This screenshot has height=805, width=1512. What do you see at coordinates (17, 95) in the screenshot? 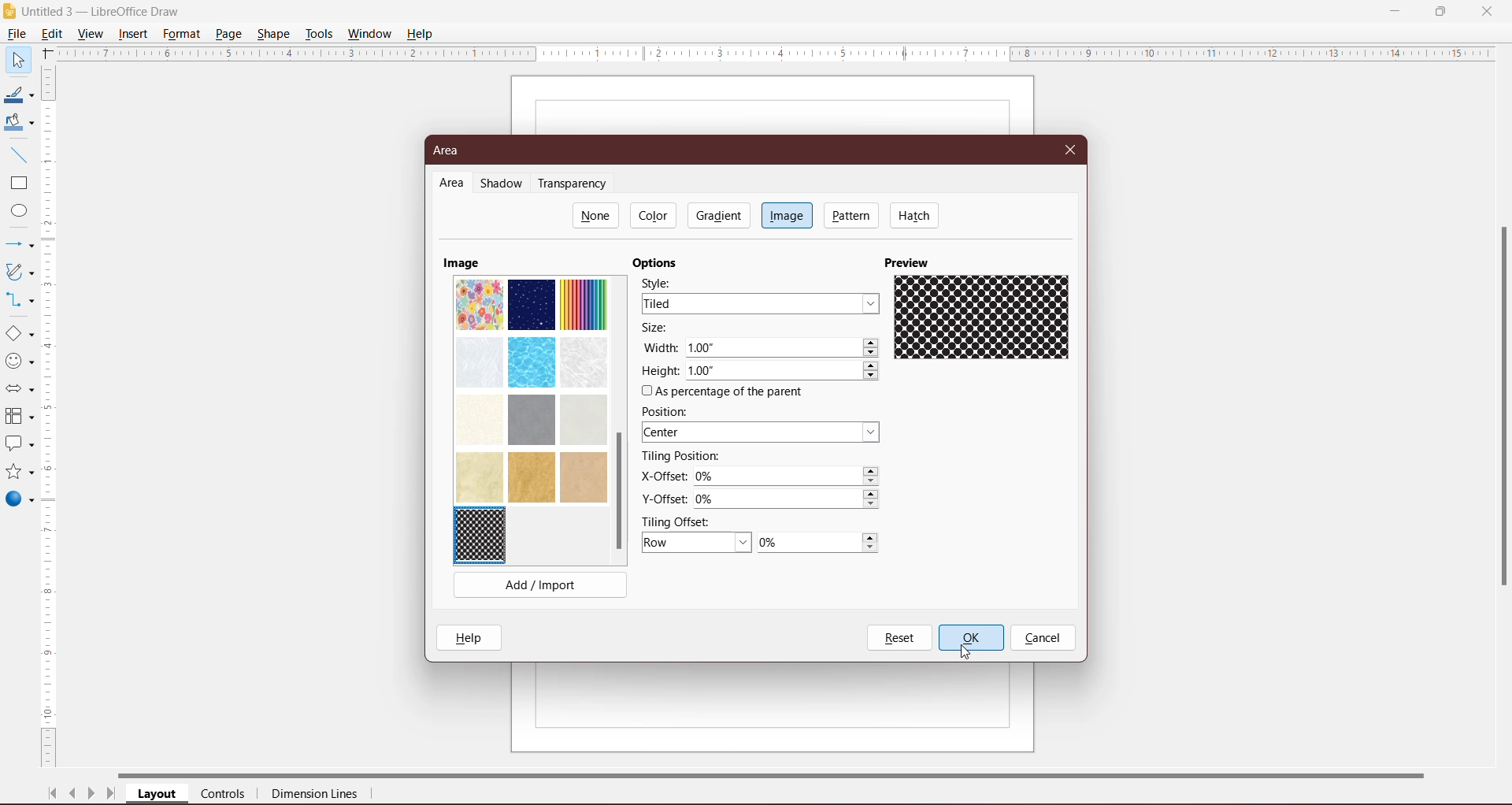
I see `Line Color` at bounding box center [17, 95].